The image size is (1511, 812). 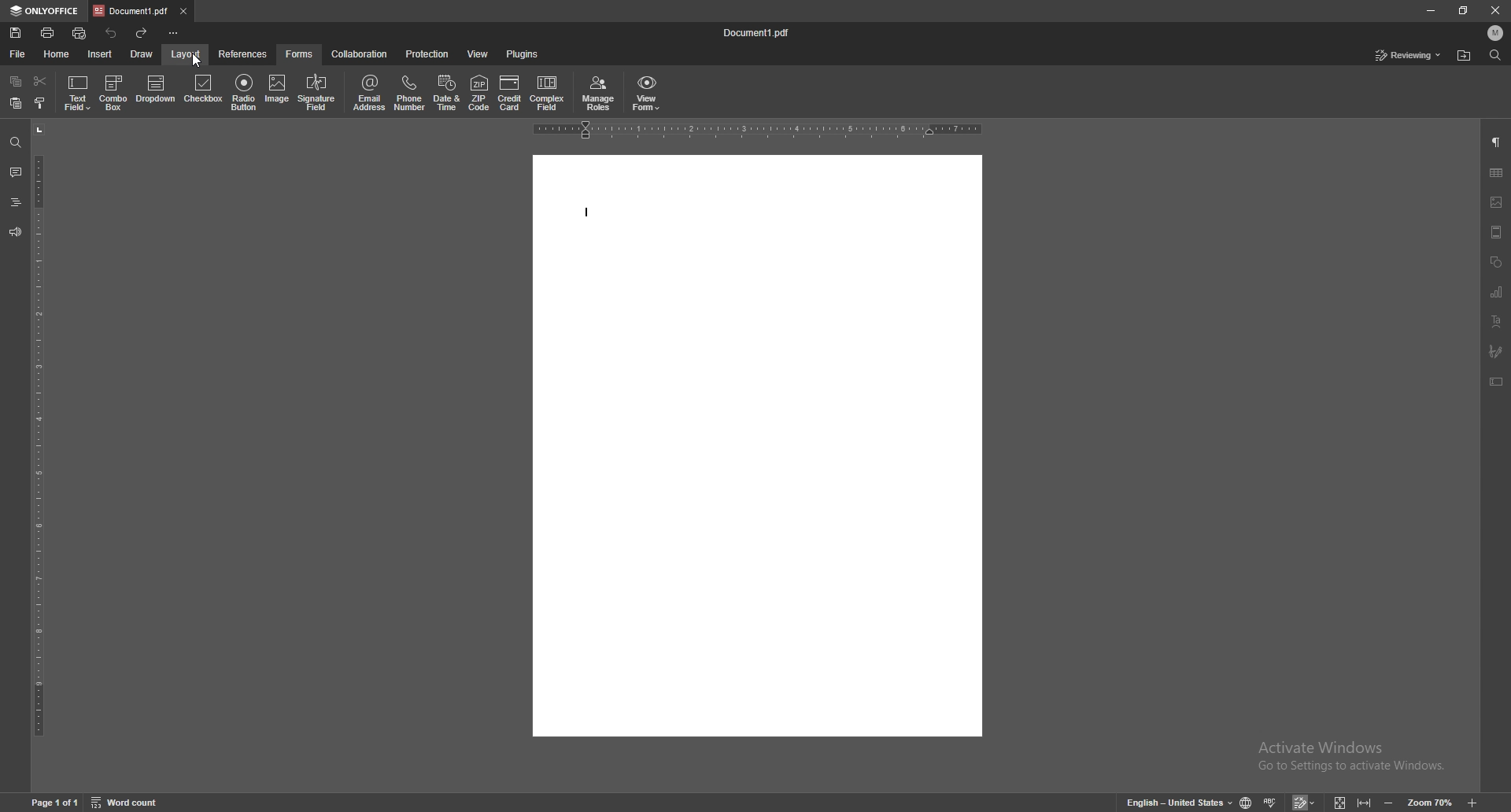 What do you see at coordinates (318, 92) in the screenshot?
I see `signature field` at bounding box center [318, 92].